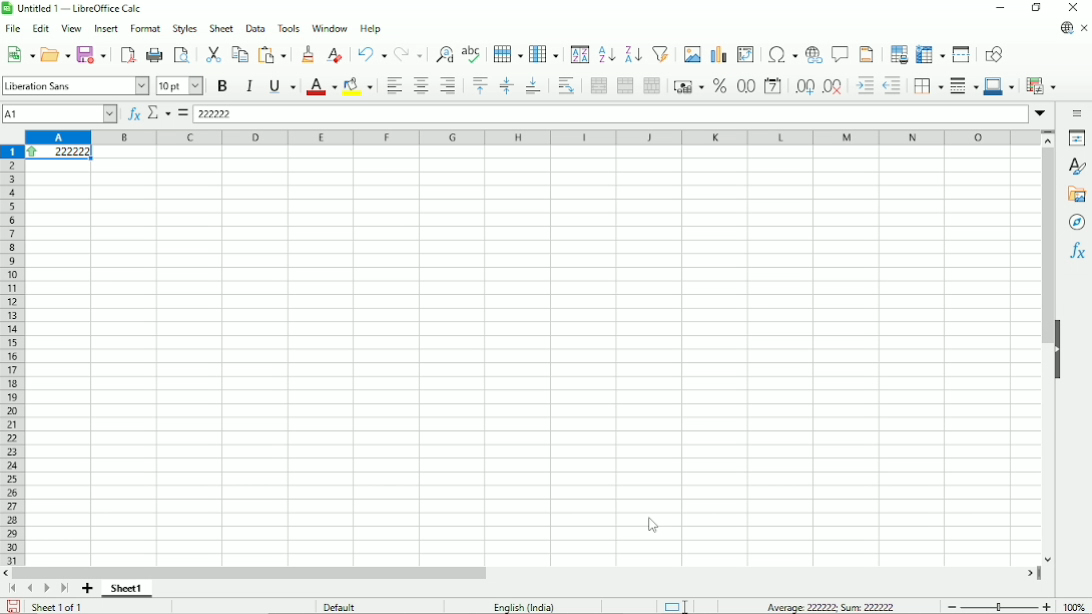 This screenshot has height=614, width=1092. Describe the element at coordinates (128, 588) in the screenshot. I see `Sheet 1` at that location.